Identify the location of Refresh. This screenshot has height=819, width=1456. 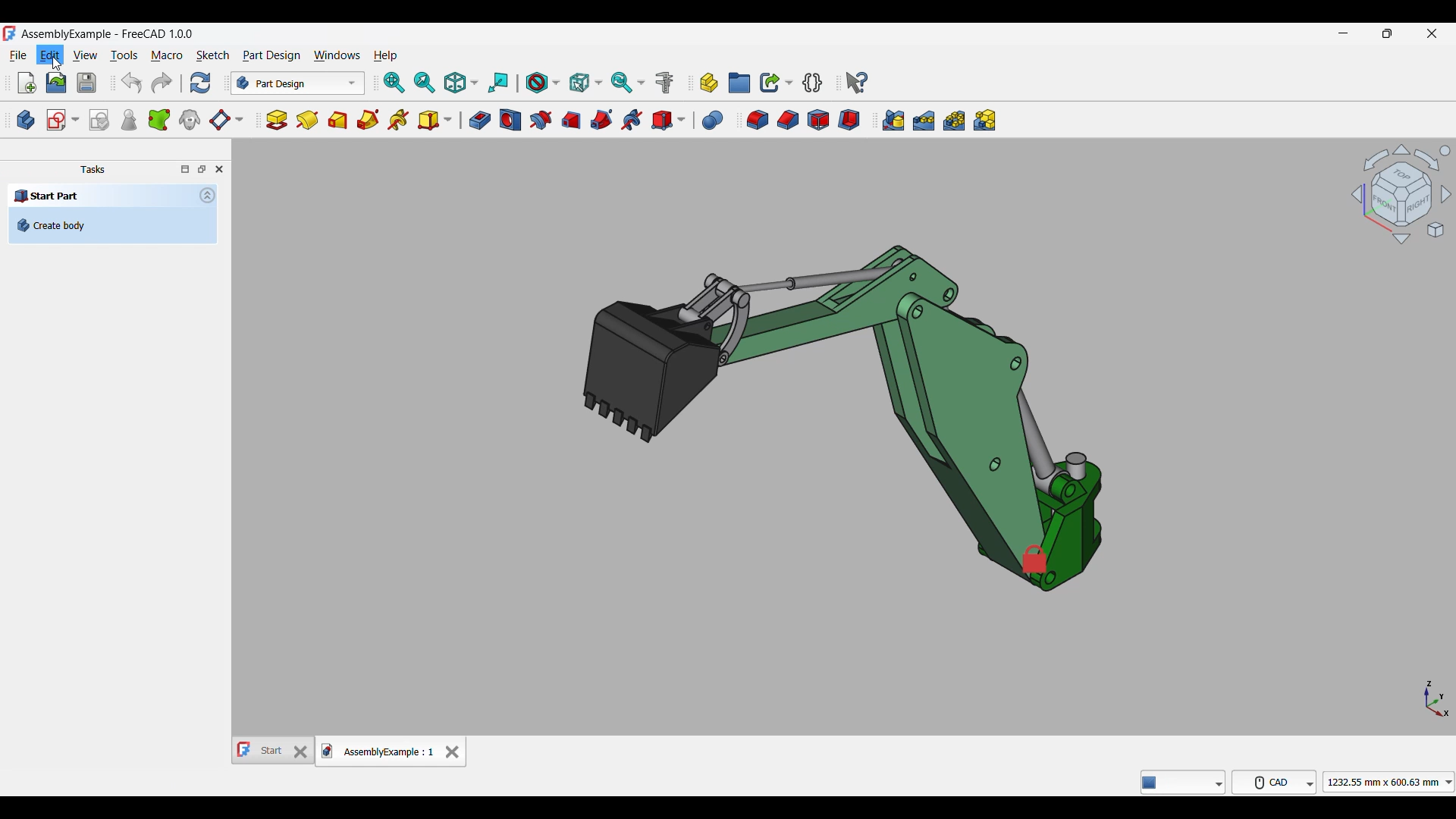
(201, 83).